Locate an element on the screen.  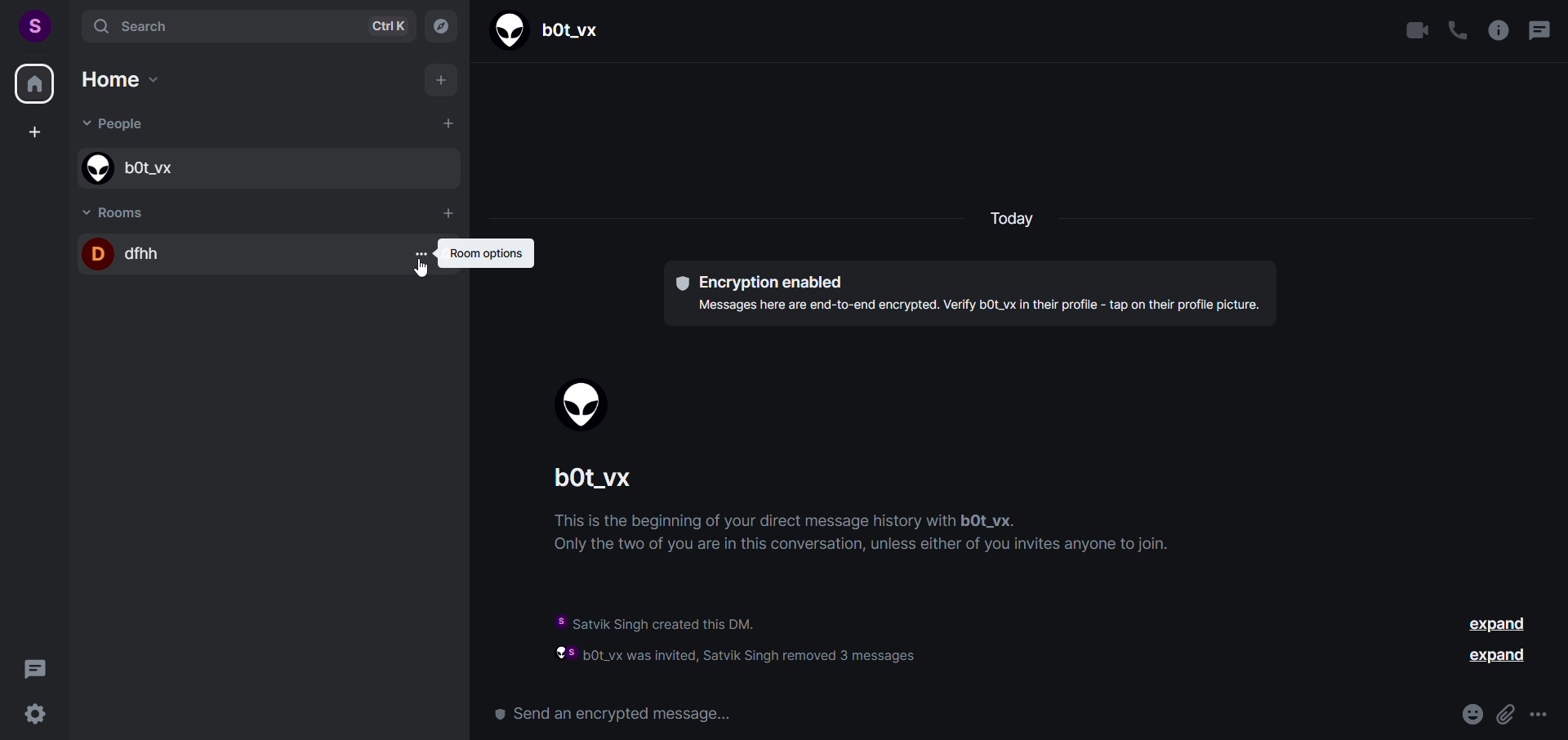
expand is located at coordinates (1503, 635).